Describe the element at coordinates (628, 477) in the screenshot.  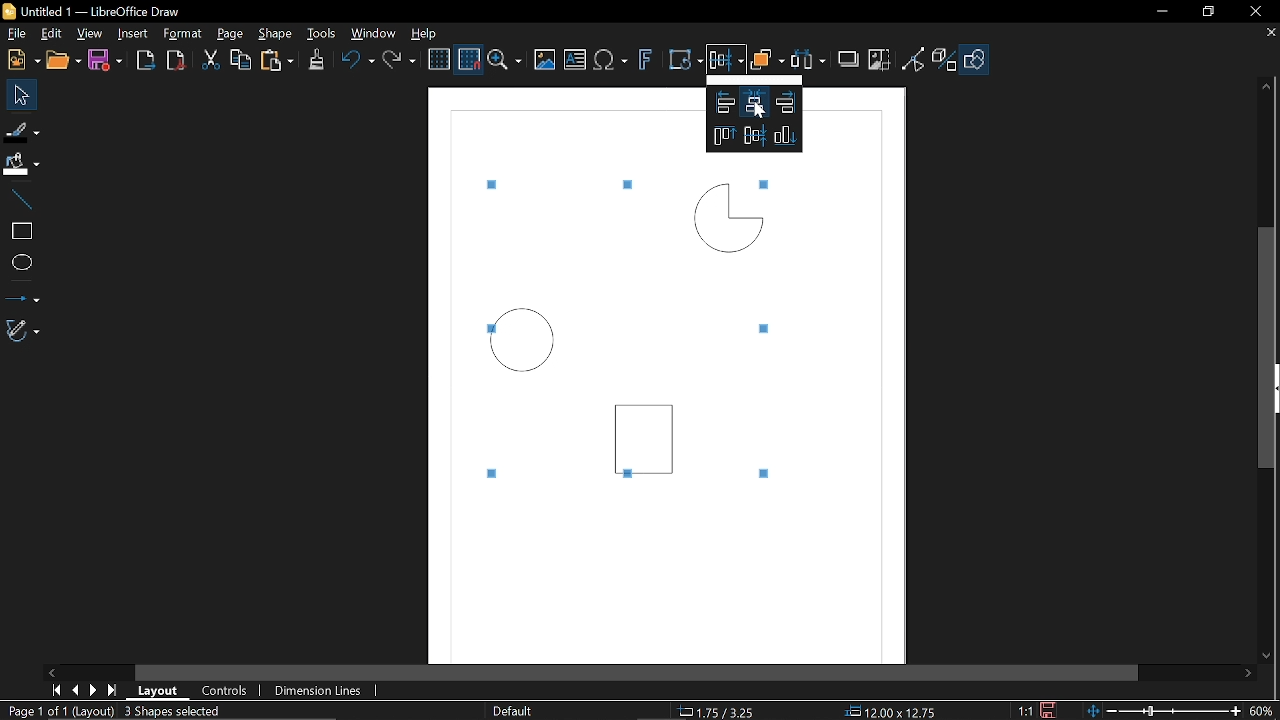
I see `Tiny squares sound selected objects` at that location.